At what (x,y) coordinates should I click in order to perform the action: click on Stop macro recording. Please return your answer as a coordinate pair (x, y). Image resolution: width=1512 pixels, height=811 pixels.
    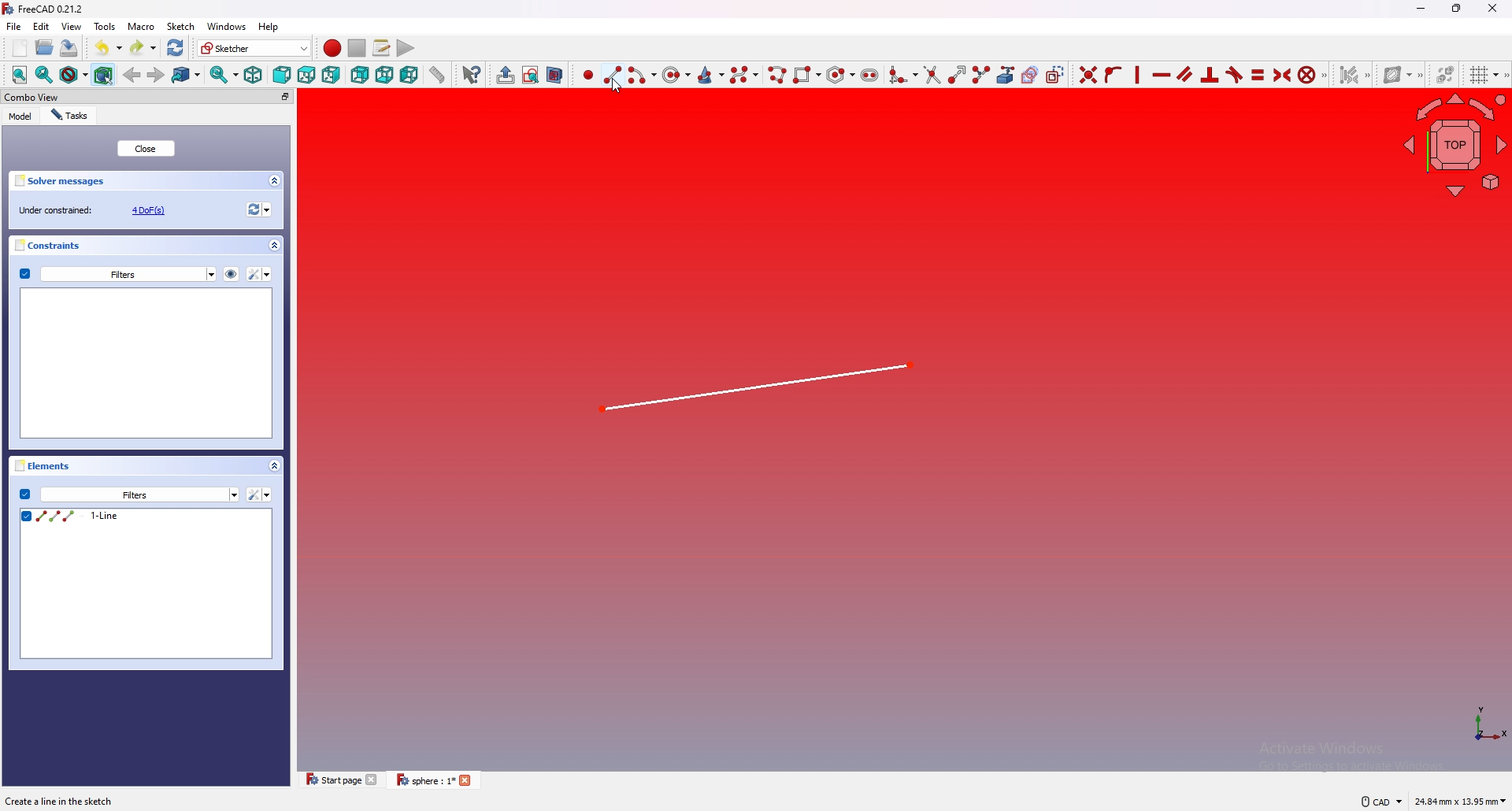
    Looking at the image, I should click on (357, 48).